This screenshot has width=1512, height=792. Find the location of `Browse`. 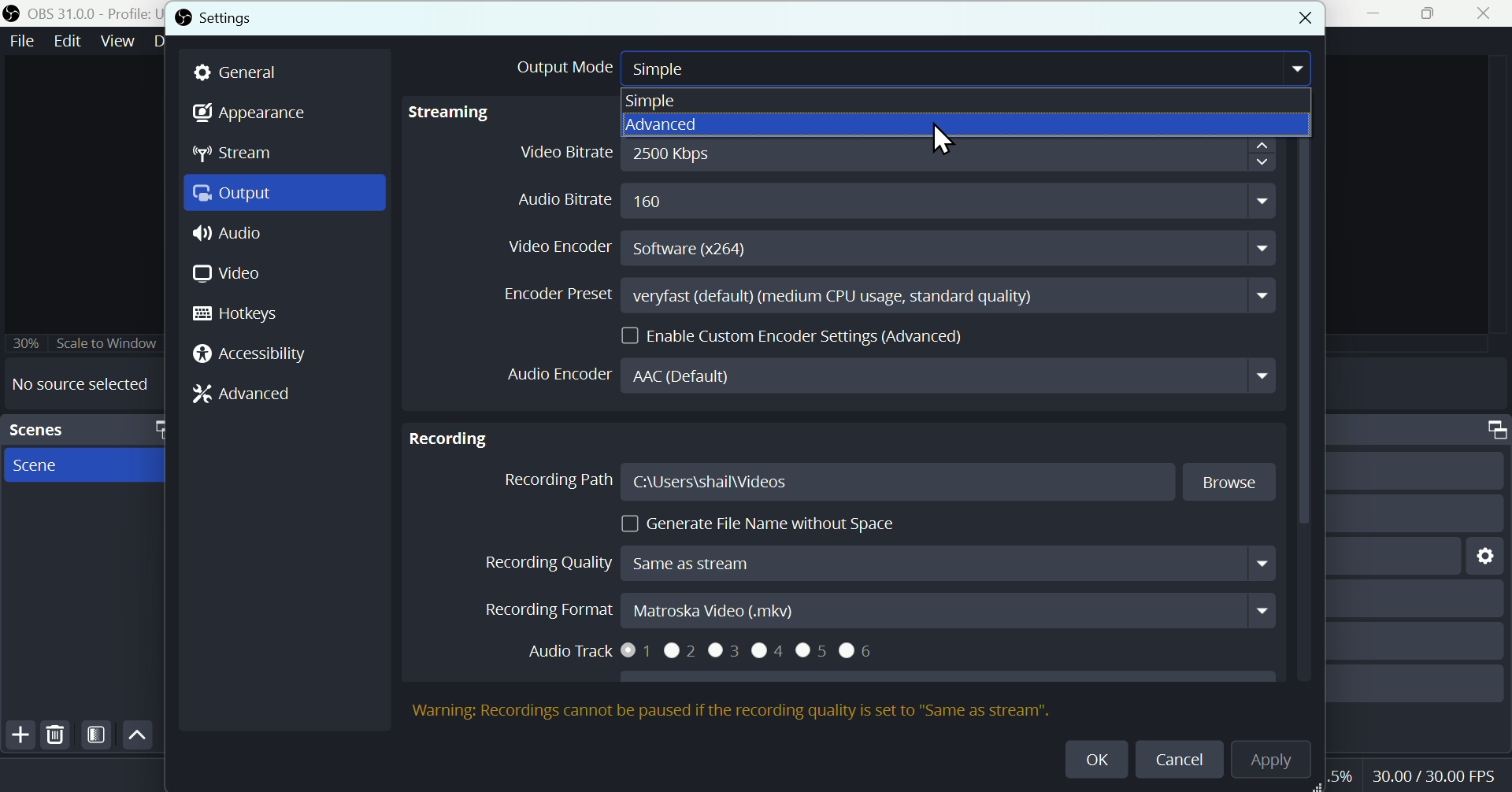

Browse is located at coordinates (1224, 483).